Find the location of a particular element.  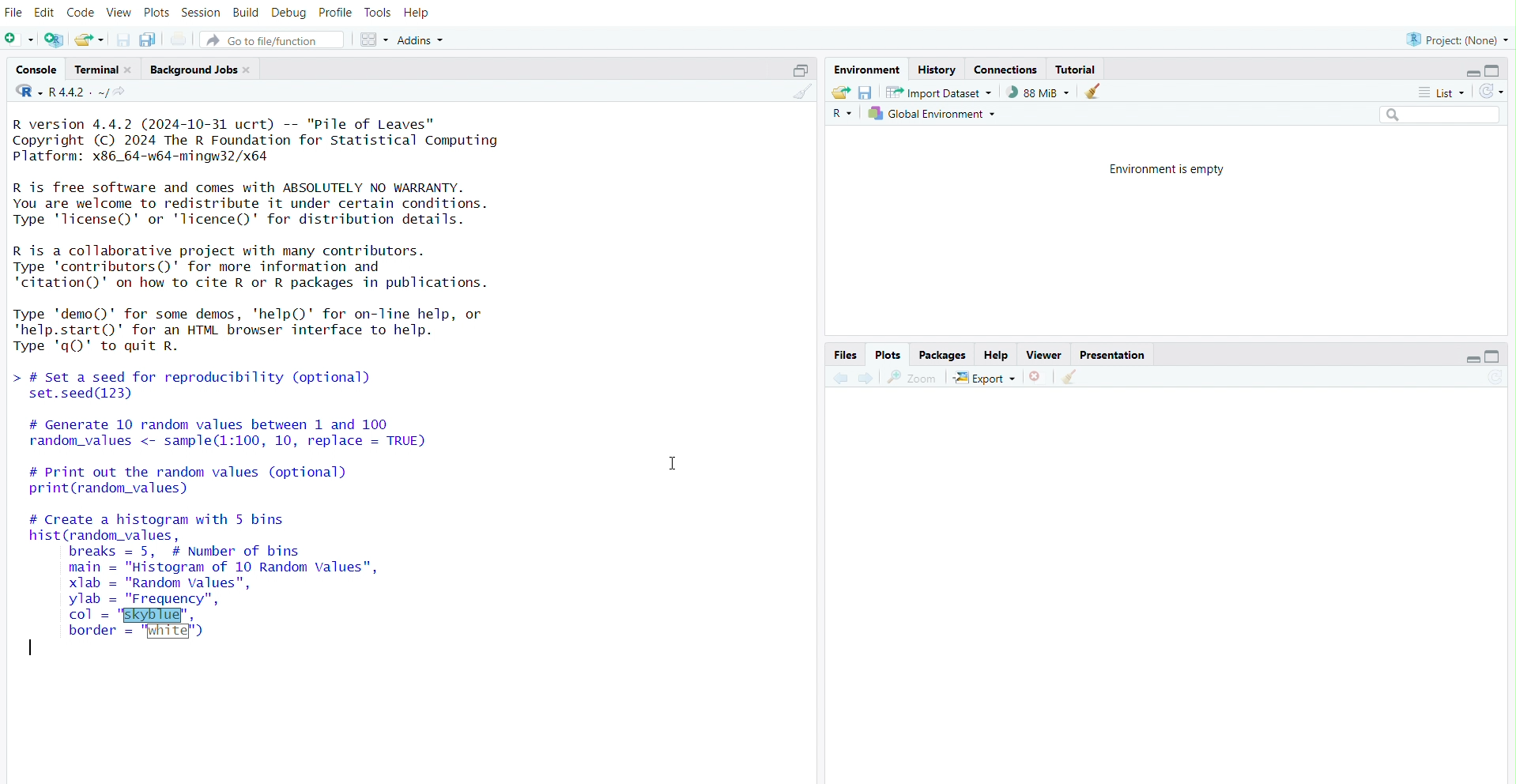

code to set a speed is located at coordinates (218, 386).